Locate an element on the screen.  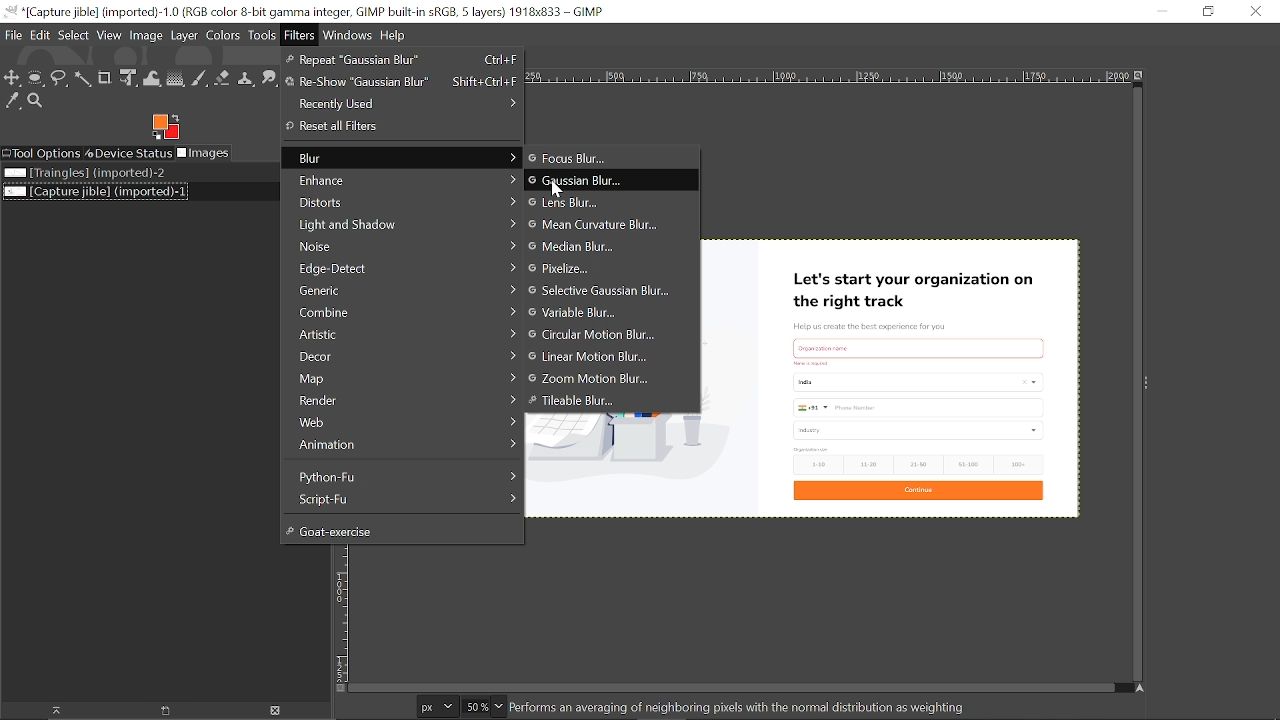
Color picker tool is located at coordinates (13, 102).